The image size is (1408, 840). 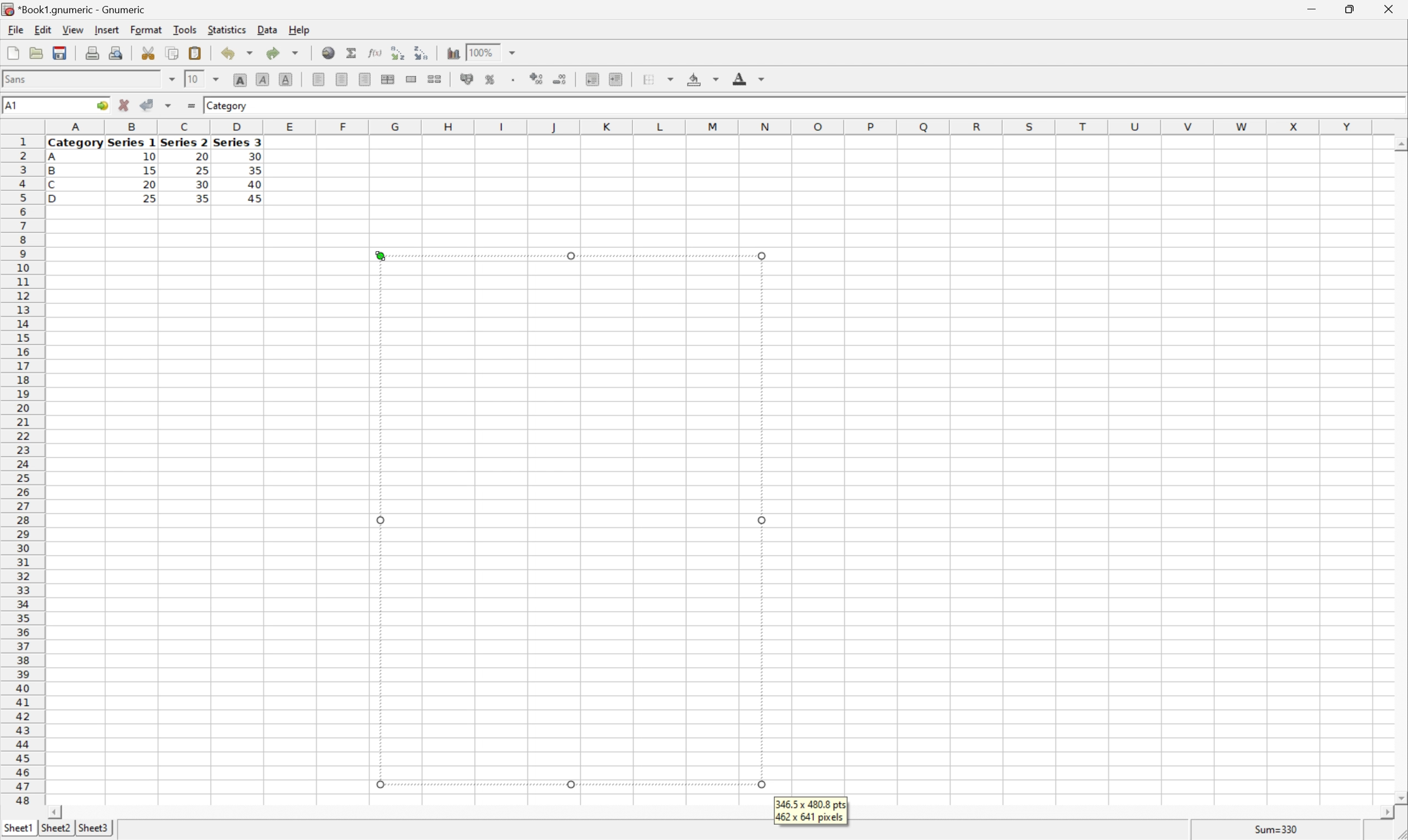 What do you see at coordinates (228, 30) in the screenshot?
I see `Statistics` at bounding box center [228, 30].